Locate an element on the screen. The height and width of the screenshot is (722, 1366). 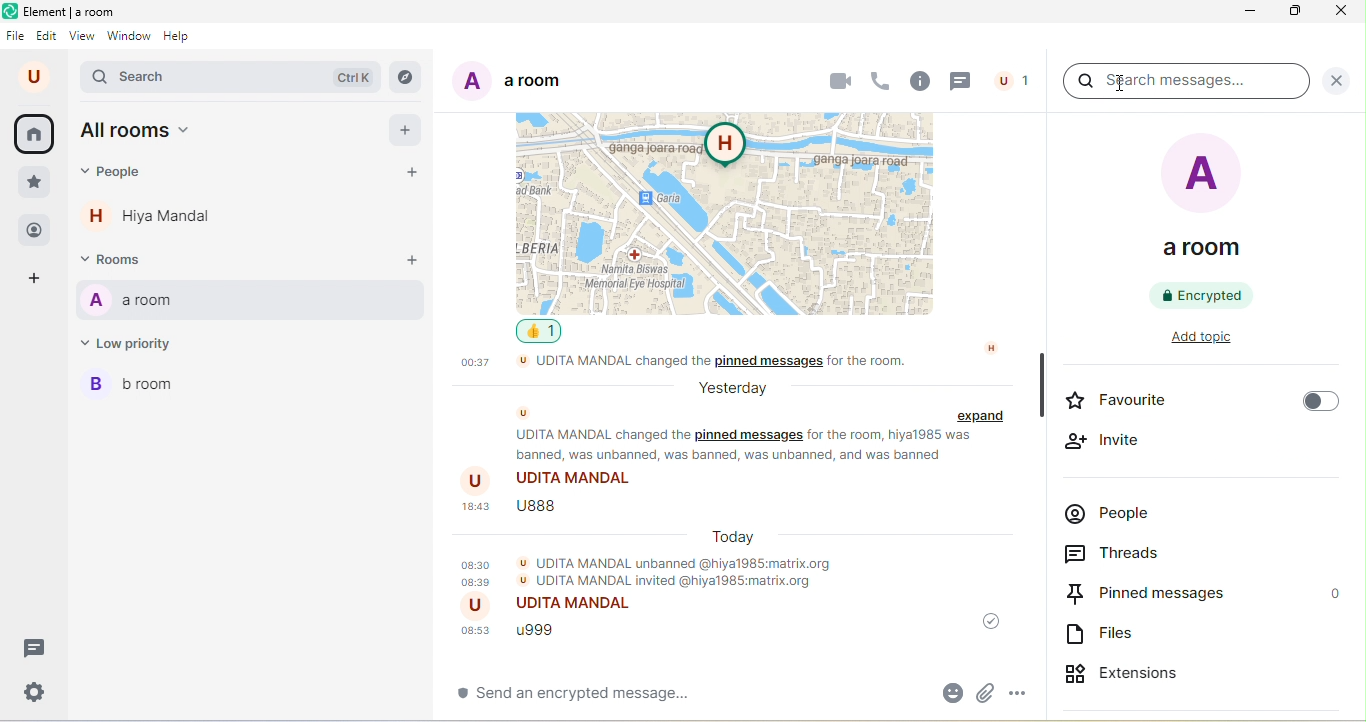
threads is located at coordinates (1130, 555).